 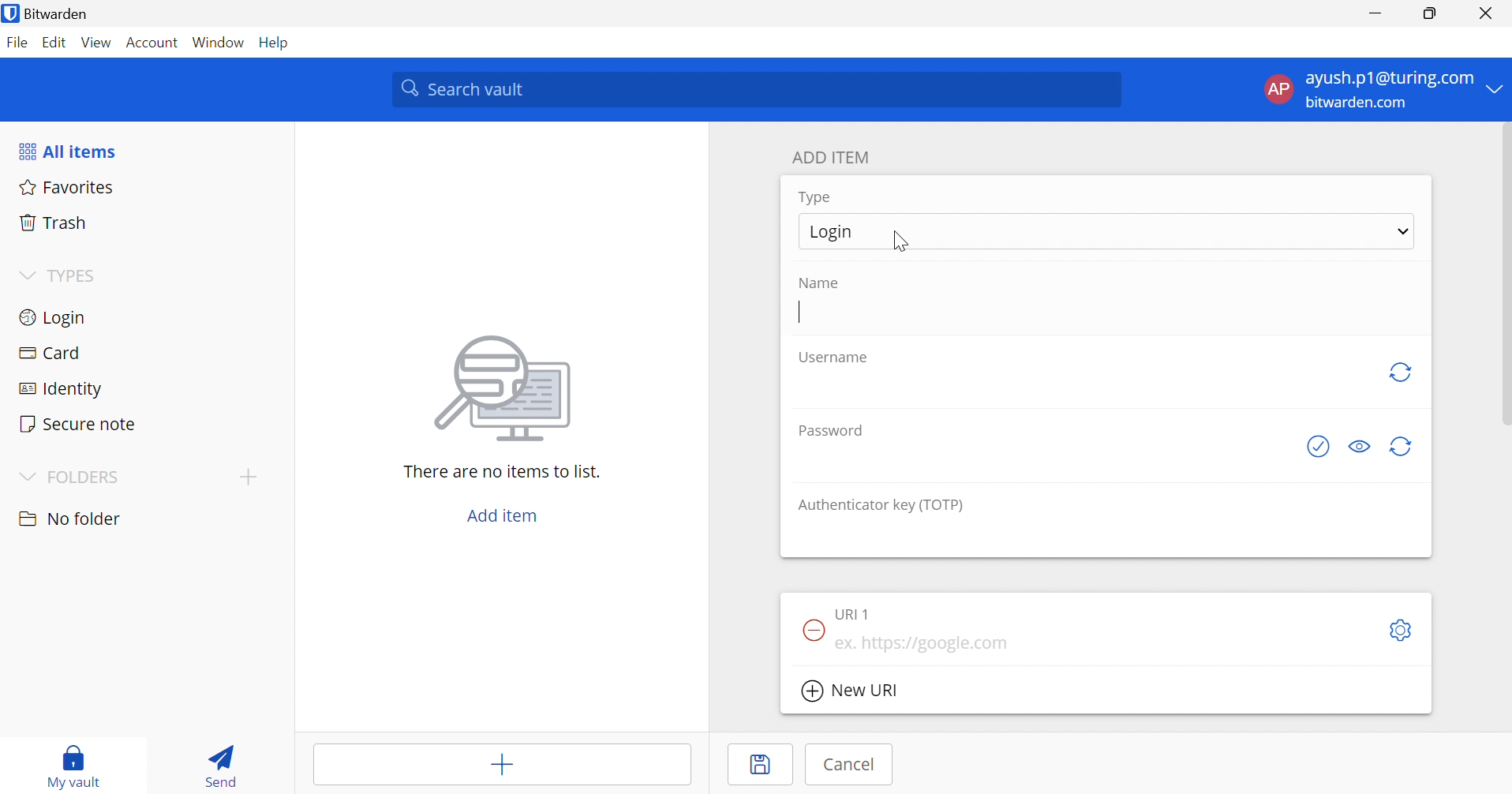 What do you see at coordinates (900, 243) in the screenshot?
I see `Cursor` at bounding box center [900, 243].